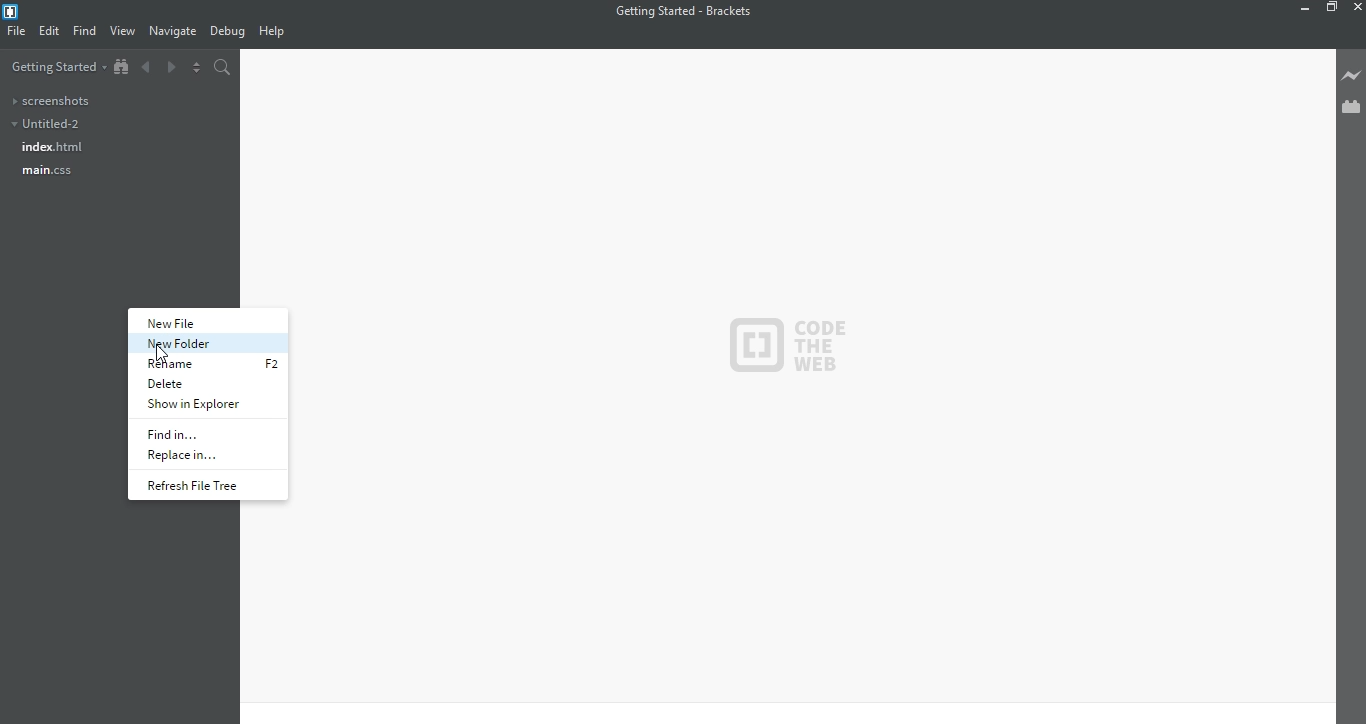 The height and width of the screenshot is (724, 1366). I want to click on getting started, so click(57, 66).